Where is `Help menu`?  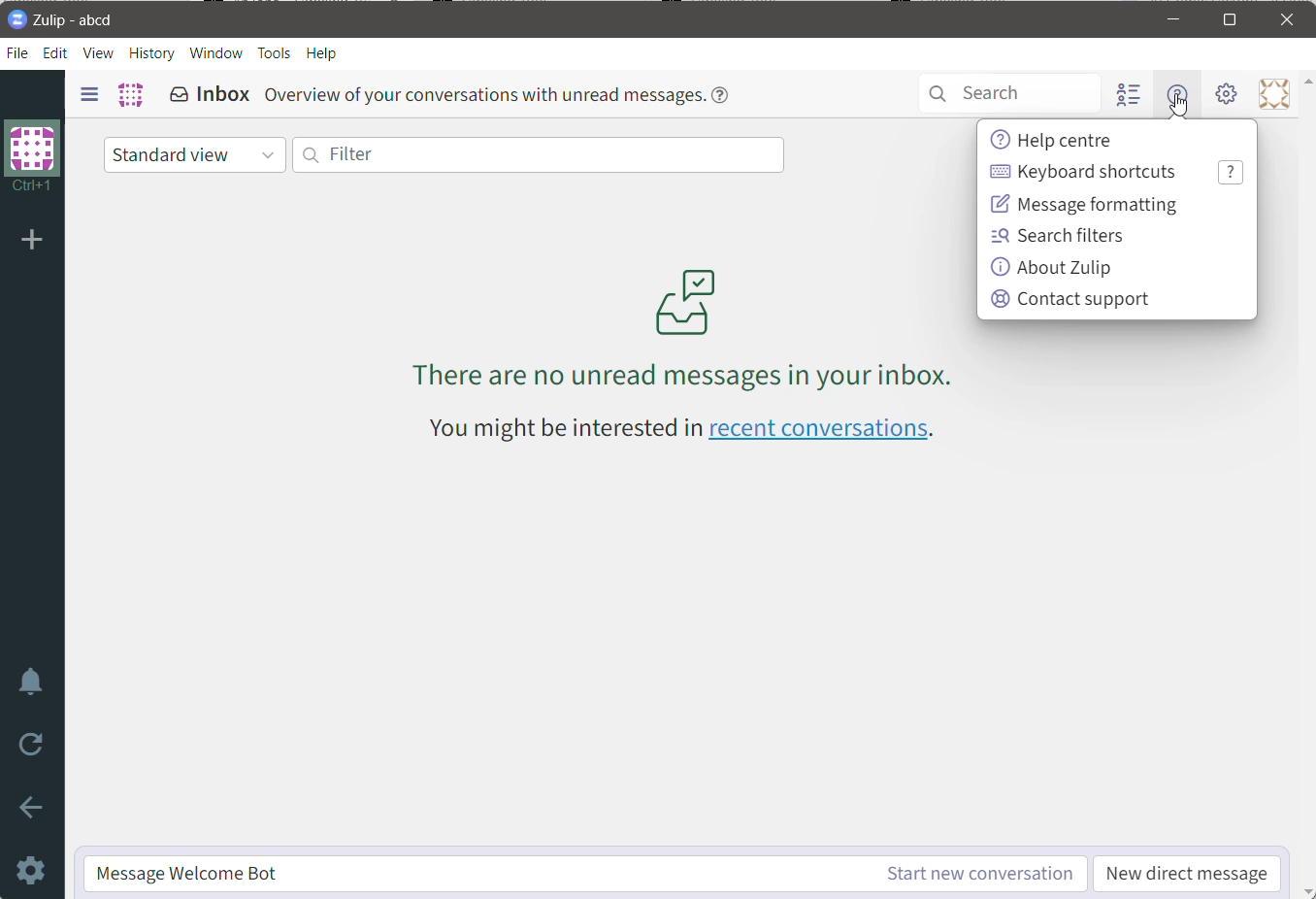
Help menu is located at coordinates (1176, 94).